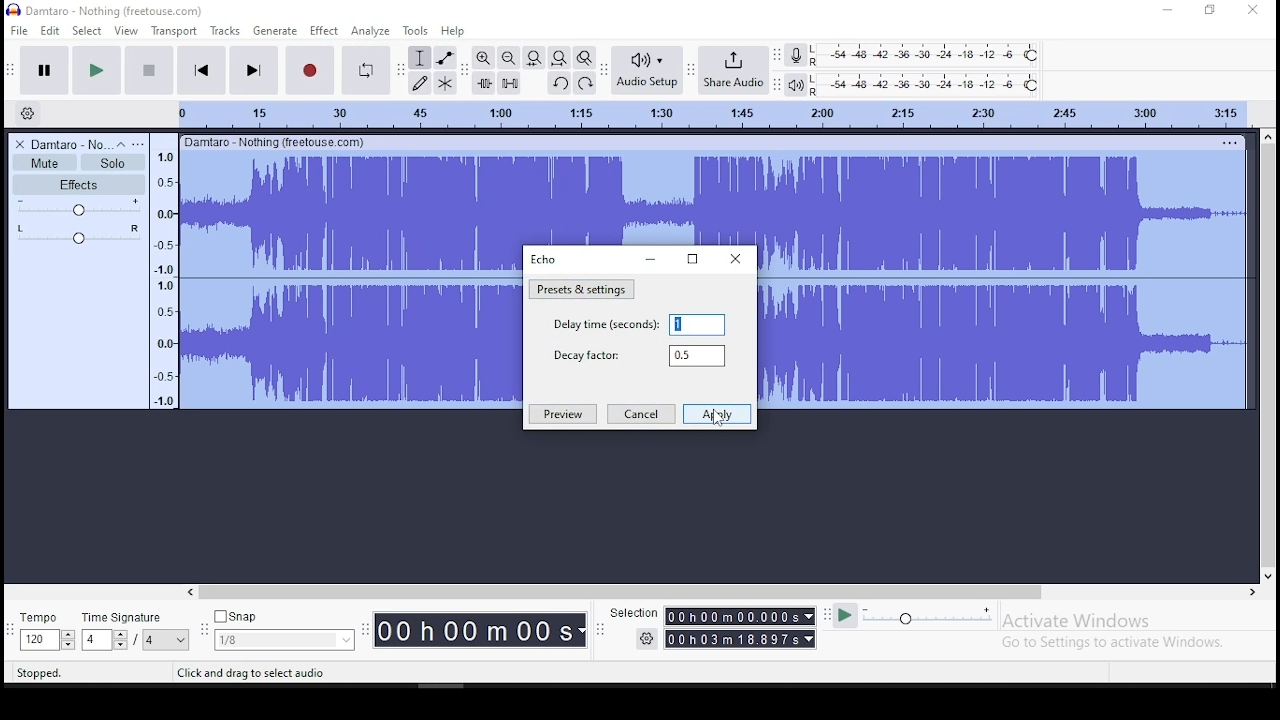 Image resolution: width=1280 pixels, height=720 pixels. Describe the element at coordinates (18, 29) in the screenshot. I see `file` at that location.